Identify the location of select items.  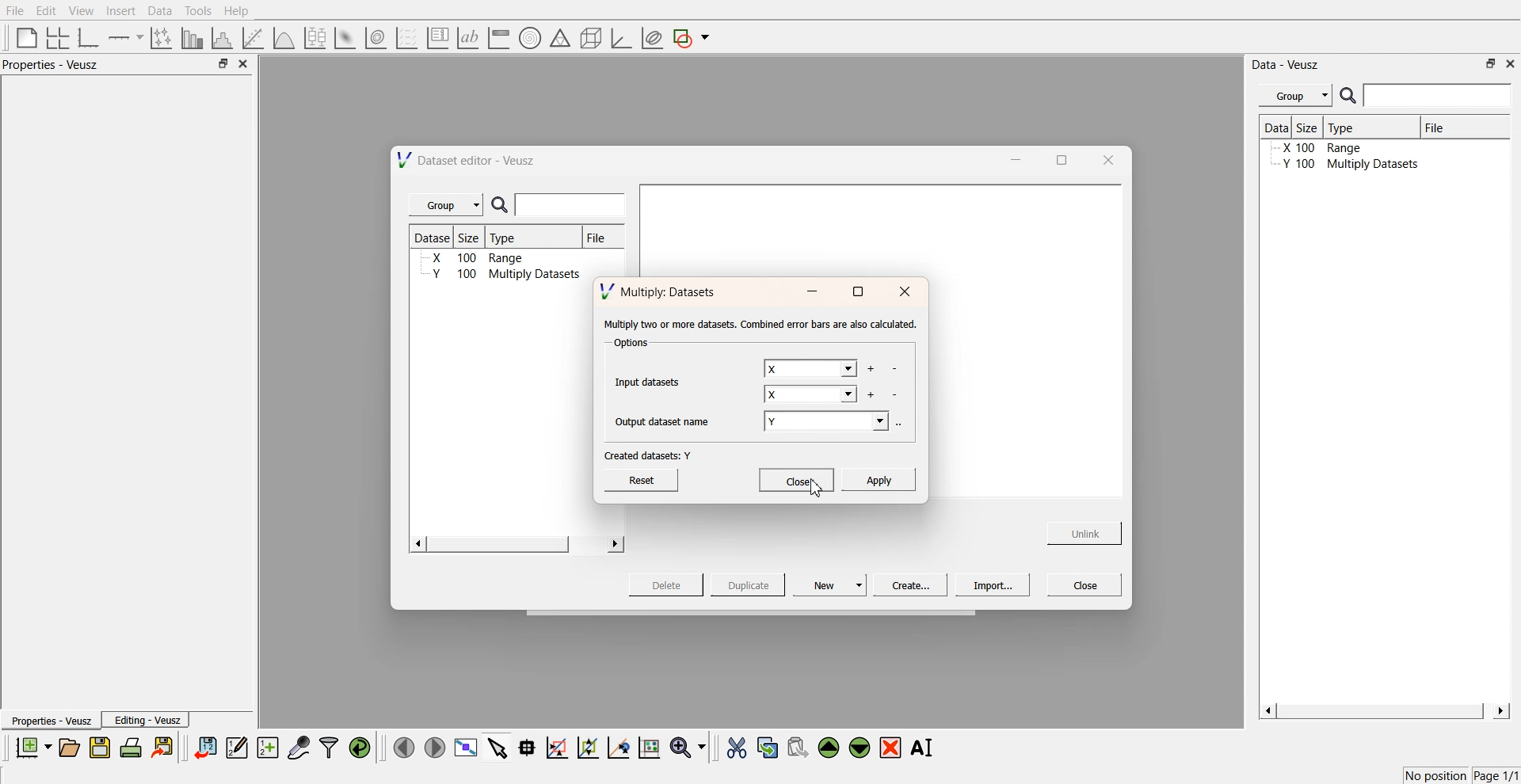
(497, 747).